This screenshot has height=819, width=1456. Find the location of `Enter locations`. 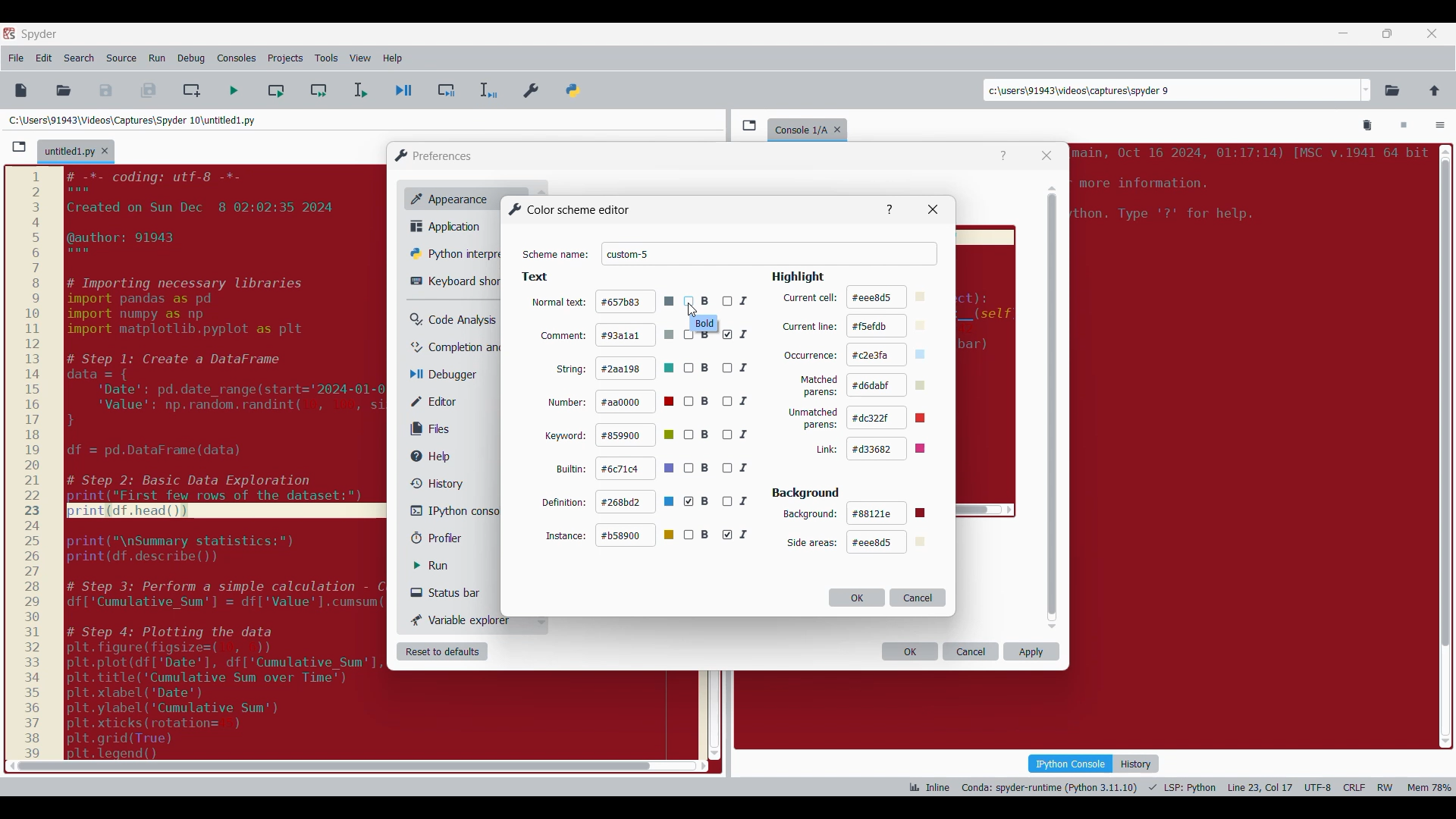

Enter locations is located at coordinates (1171, 90).